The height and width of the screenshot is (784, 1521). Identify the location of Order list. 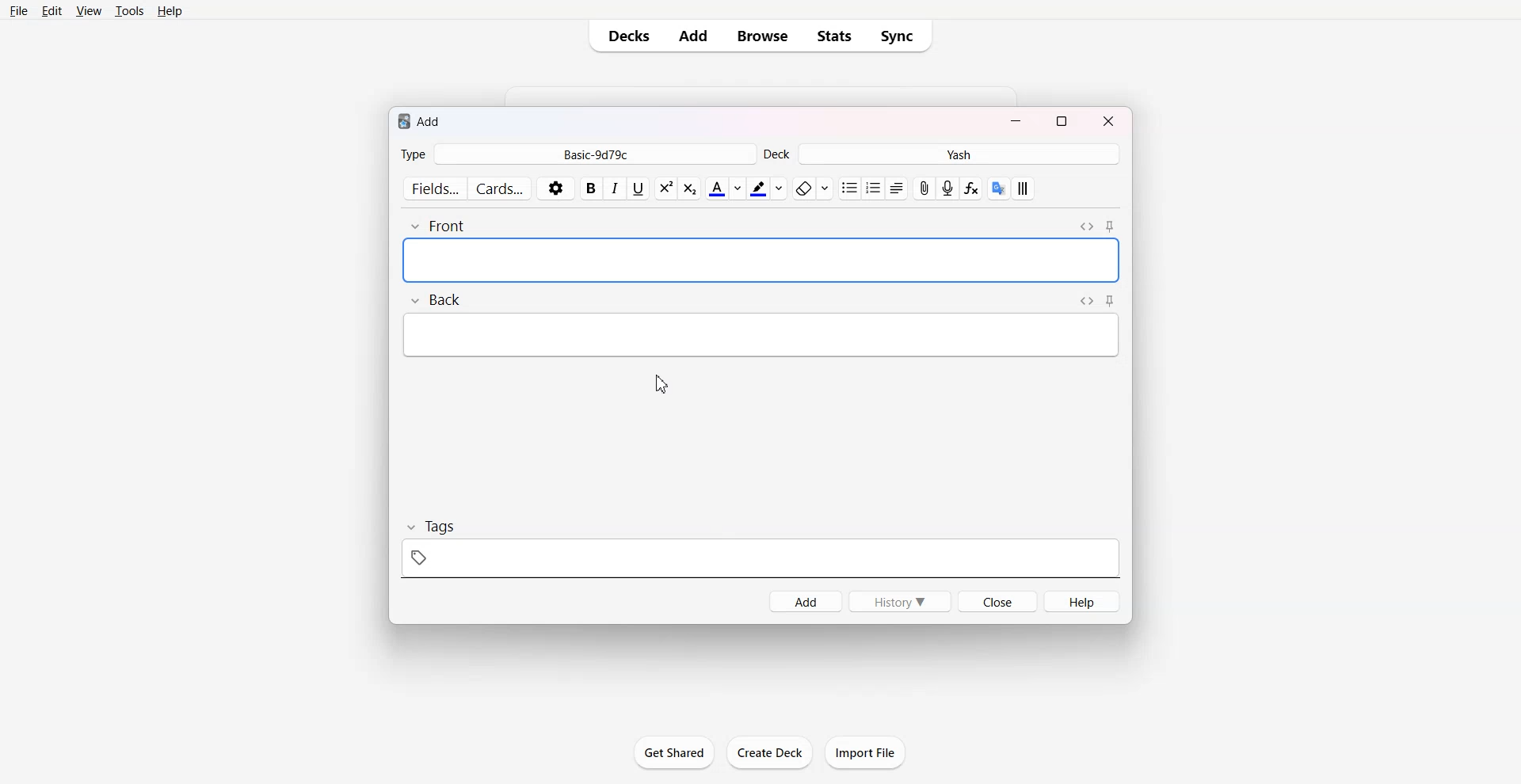
(875, 188).